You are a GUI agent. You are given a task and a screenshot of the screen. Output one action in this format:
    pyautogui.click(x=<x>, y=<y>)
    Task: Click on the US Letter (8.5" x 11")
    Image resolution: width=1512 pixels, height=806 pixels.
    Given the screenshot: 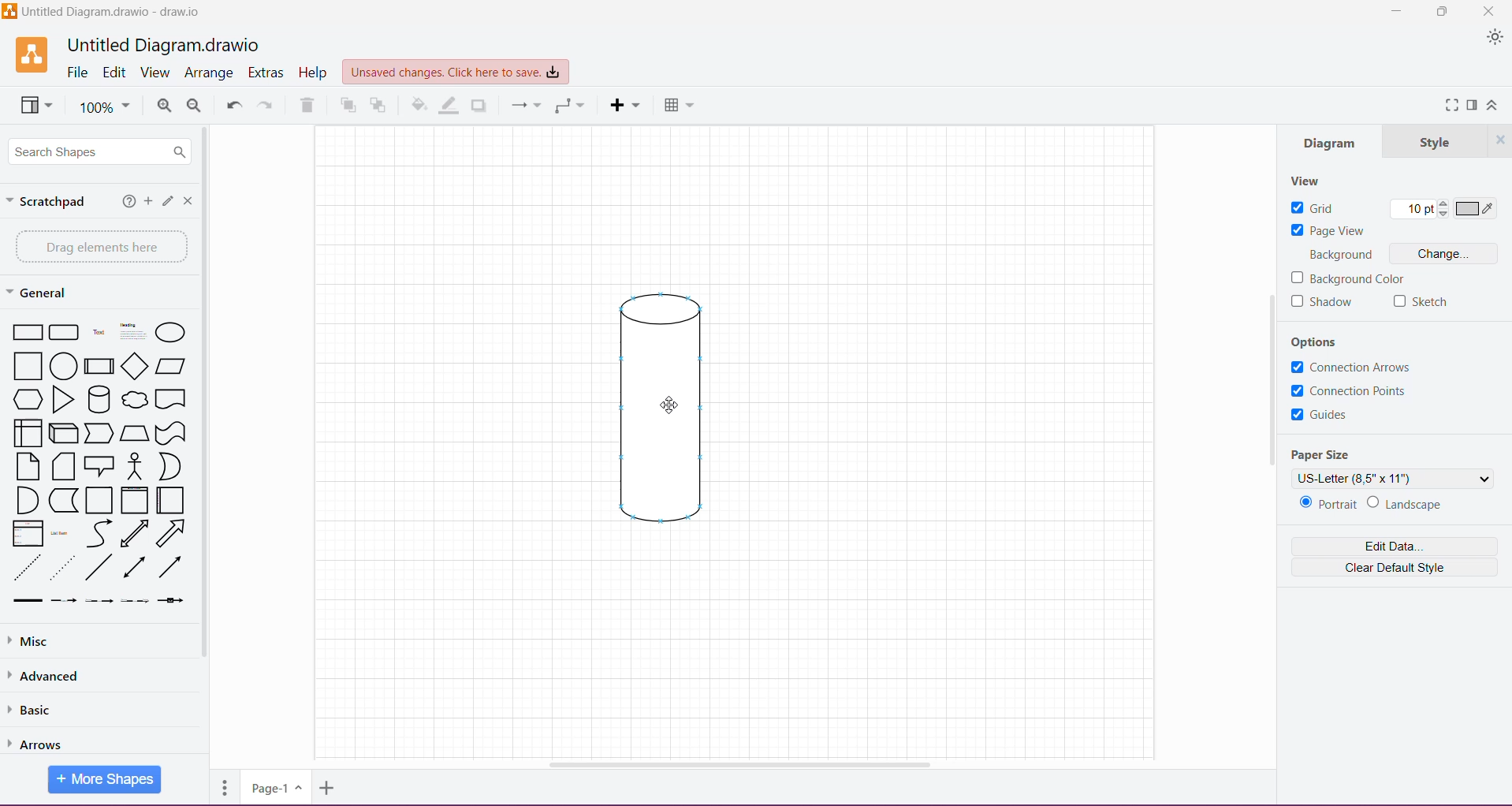 What is the action you would take?
    pyautogui.click(x=1394, y=479)
    